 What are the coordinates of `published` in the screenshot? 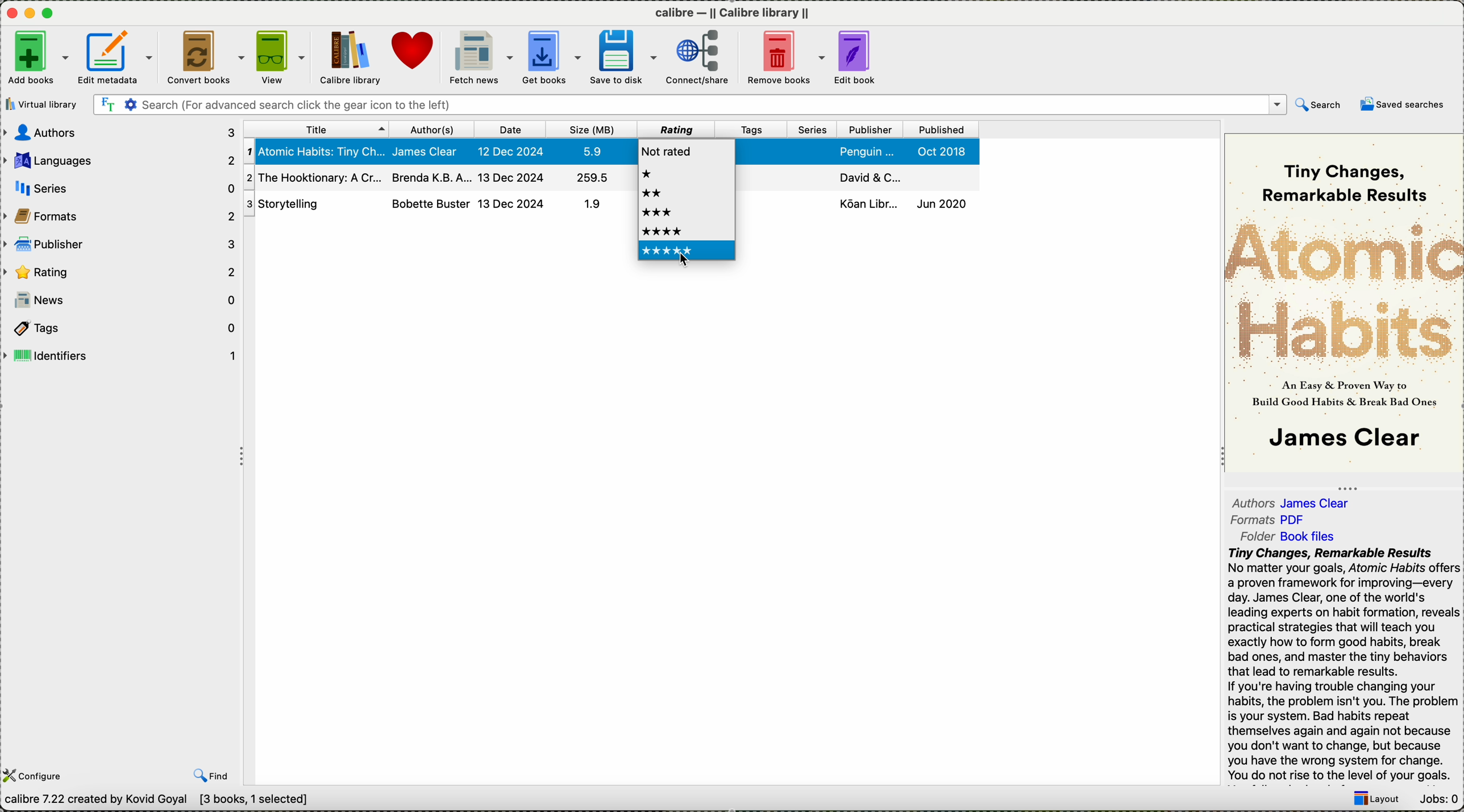 It's located at (939, 129).